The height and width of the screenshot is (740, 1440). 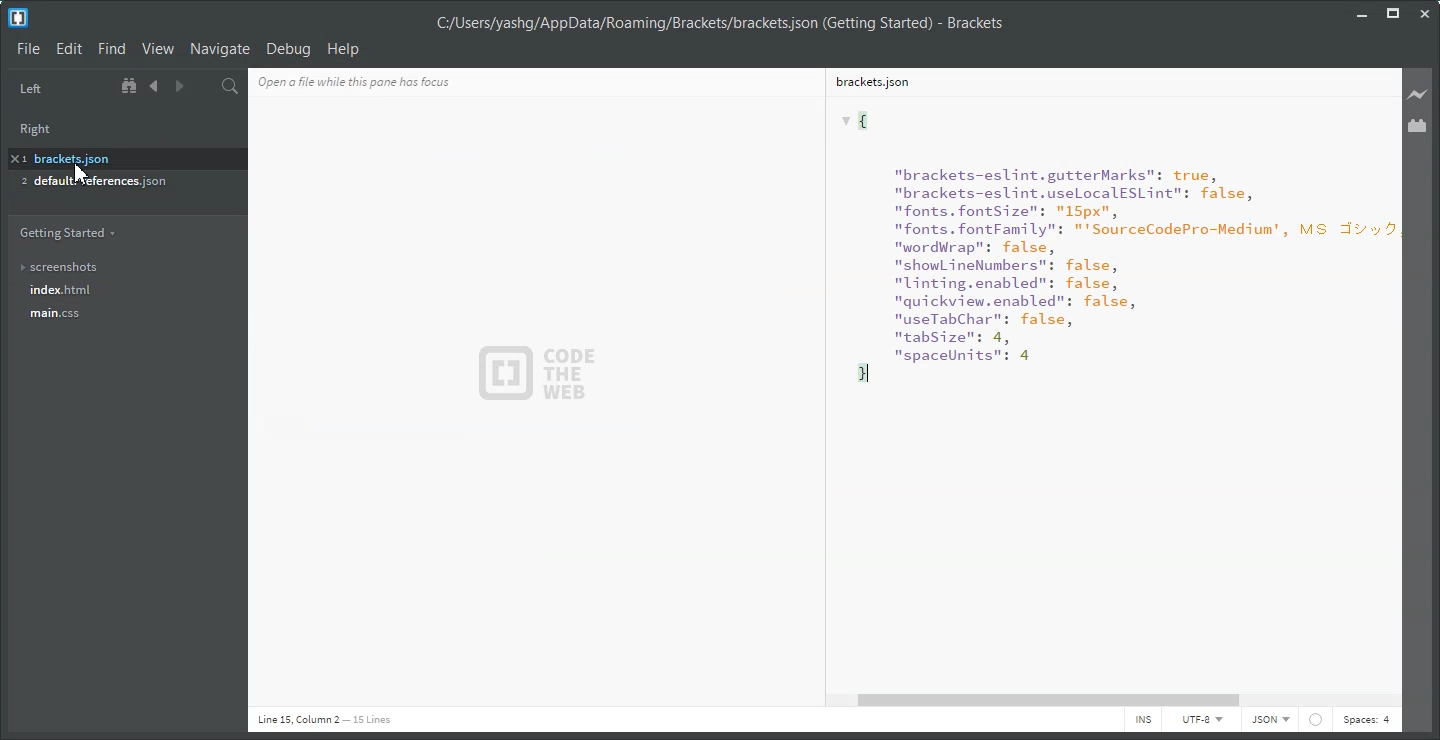 I want to click on Right Panel, so click(x=42, y=126).